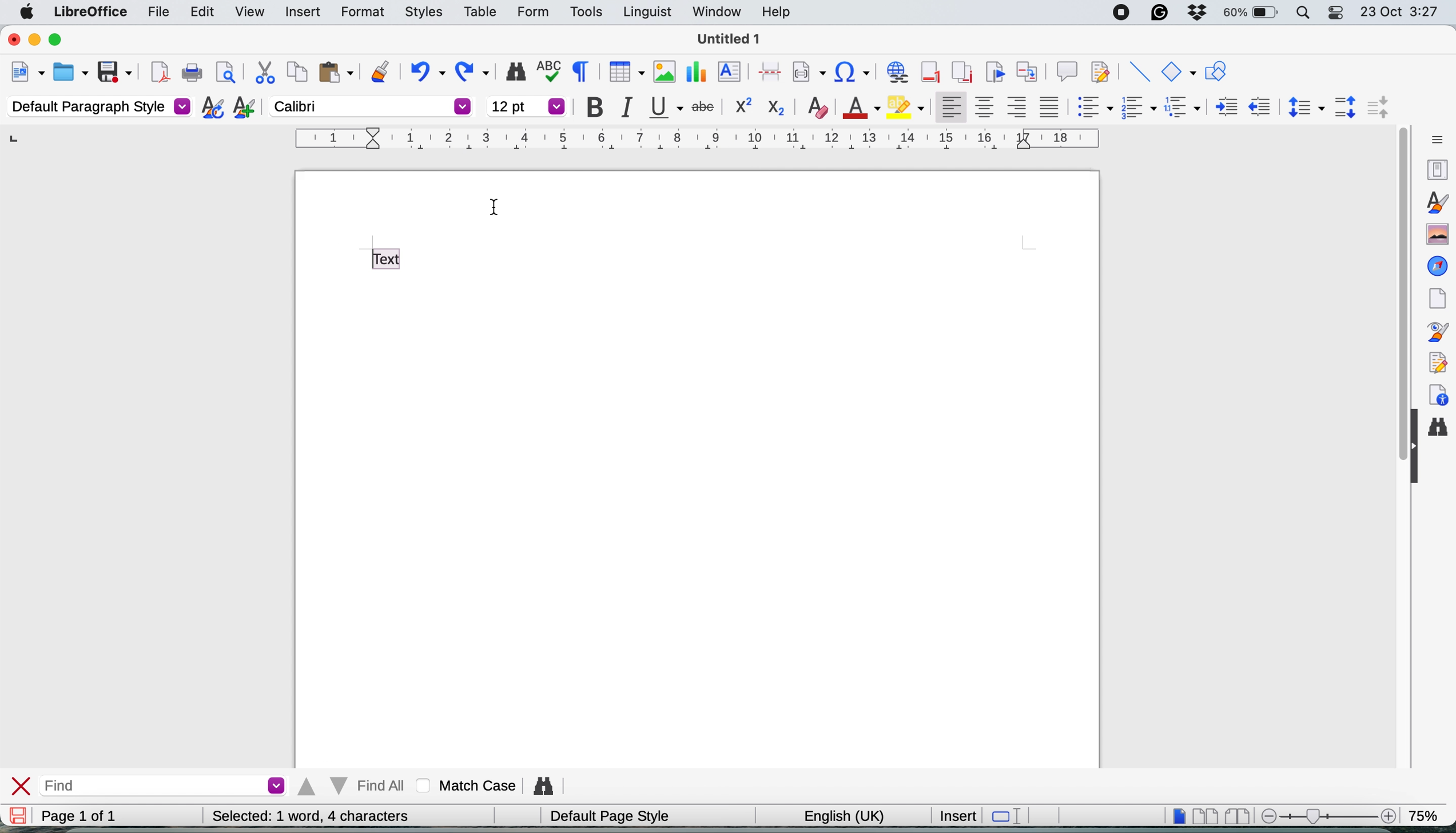 The height and width of the screenshot is (833, 1456). Describe the element at coordinates (531, 12) in the screenshot. I see `form` at that location.